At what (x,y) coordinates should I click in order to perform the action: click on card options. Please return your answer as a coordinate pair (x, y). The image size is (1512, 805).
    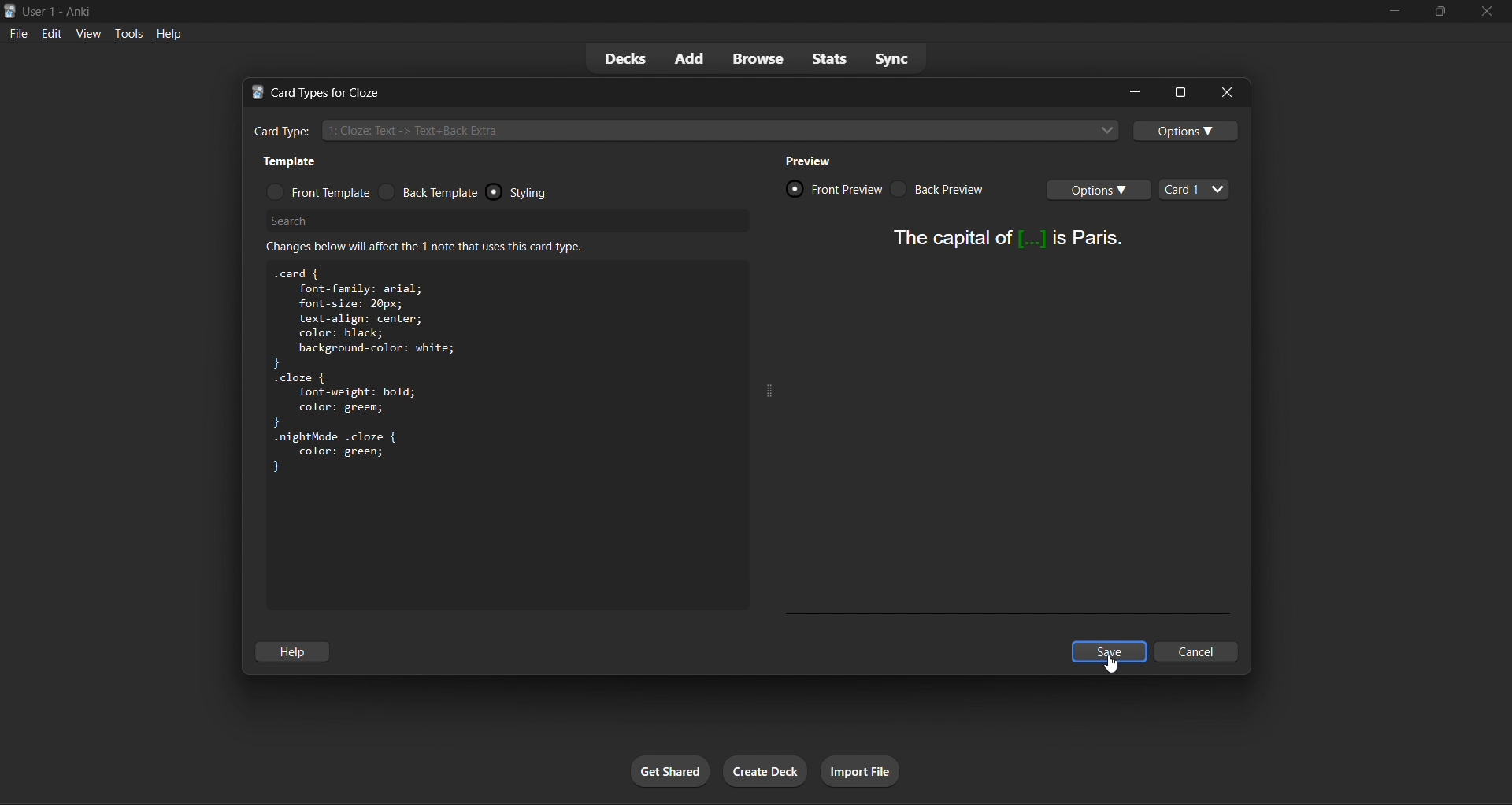
    Looking at the image, I should click on (1102, 193).